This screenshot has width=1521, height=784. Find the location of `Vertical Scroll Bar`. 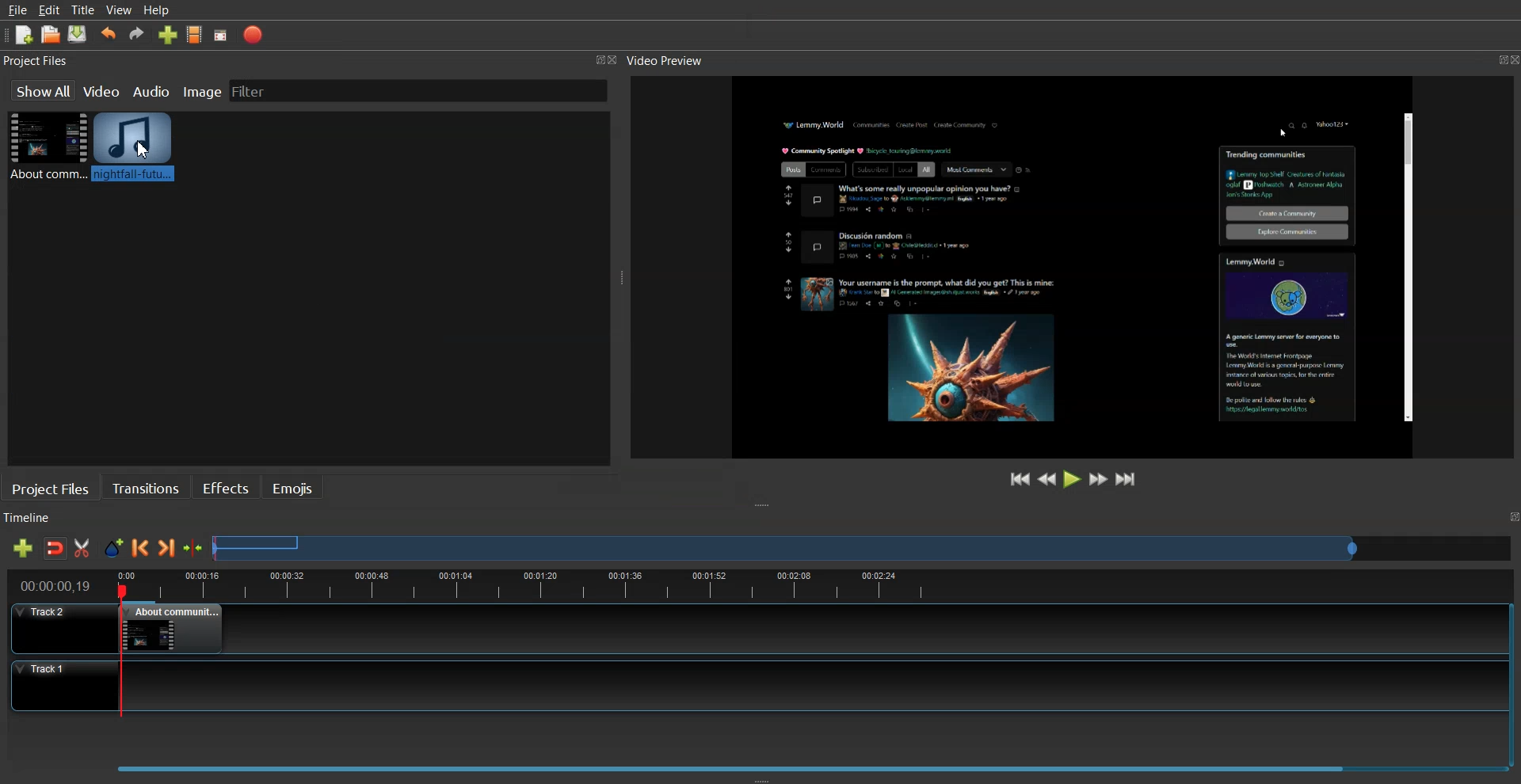

Vertical Scroll Bar is located at coordinates (1511, 678).